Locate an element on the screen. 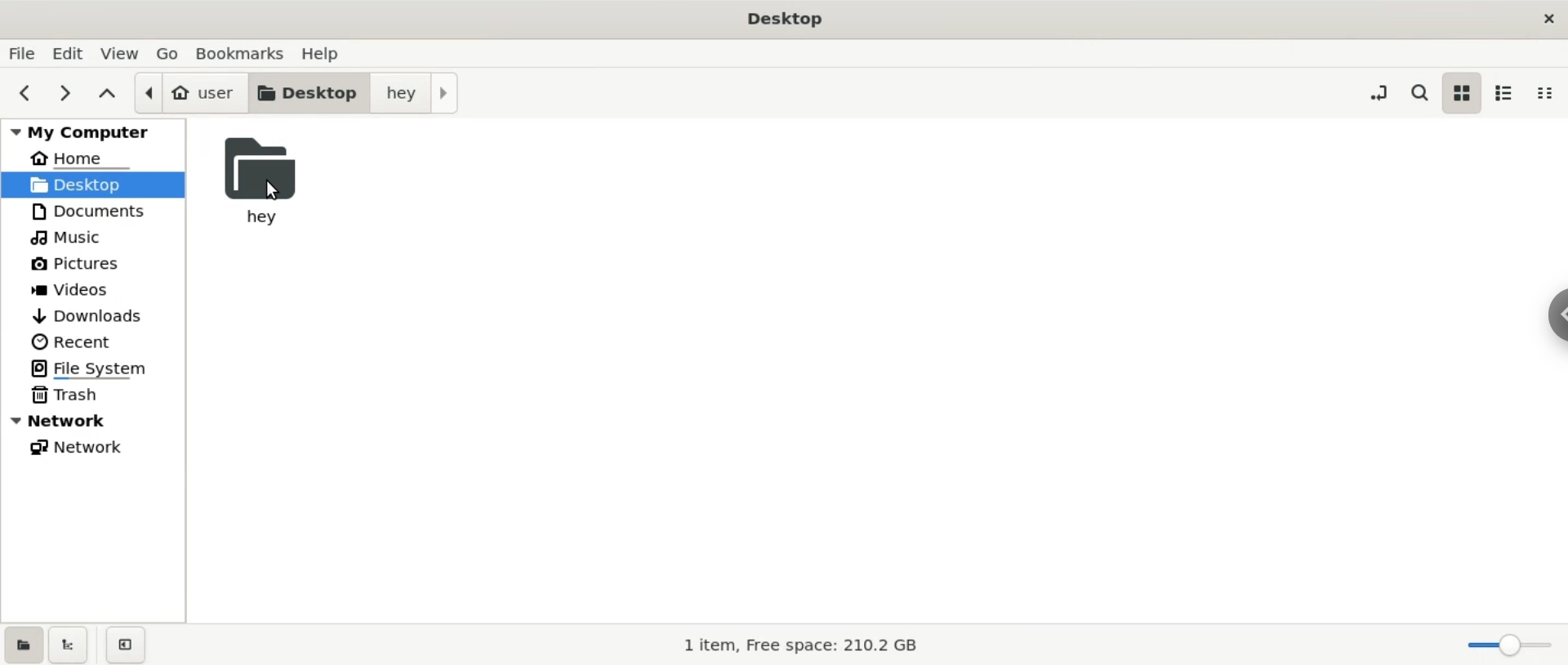 Image resolution: width=1568 pixels, height=665 pixels. previous is located at coordinates (25, 94).